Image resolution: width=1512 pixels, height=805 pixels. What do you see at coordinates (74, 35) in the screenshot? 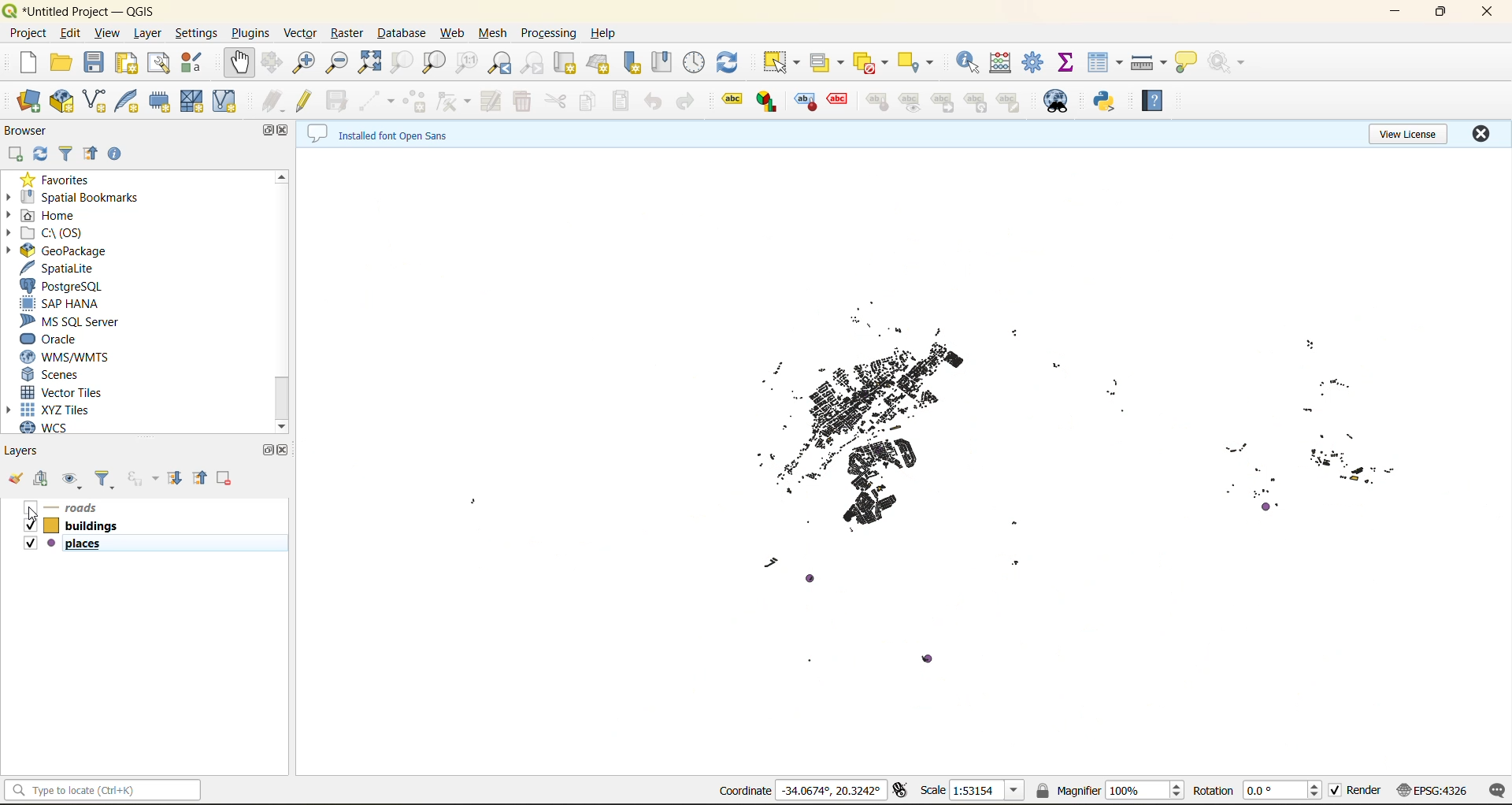
I see `edit` at bounding box center [74, 35].